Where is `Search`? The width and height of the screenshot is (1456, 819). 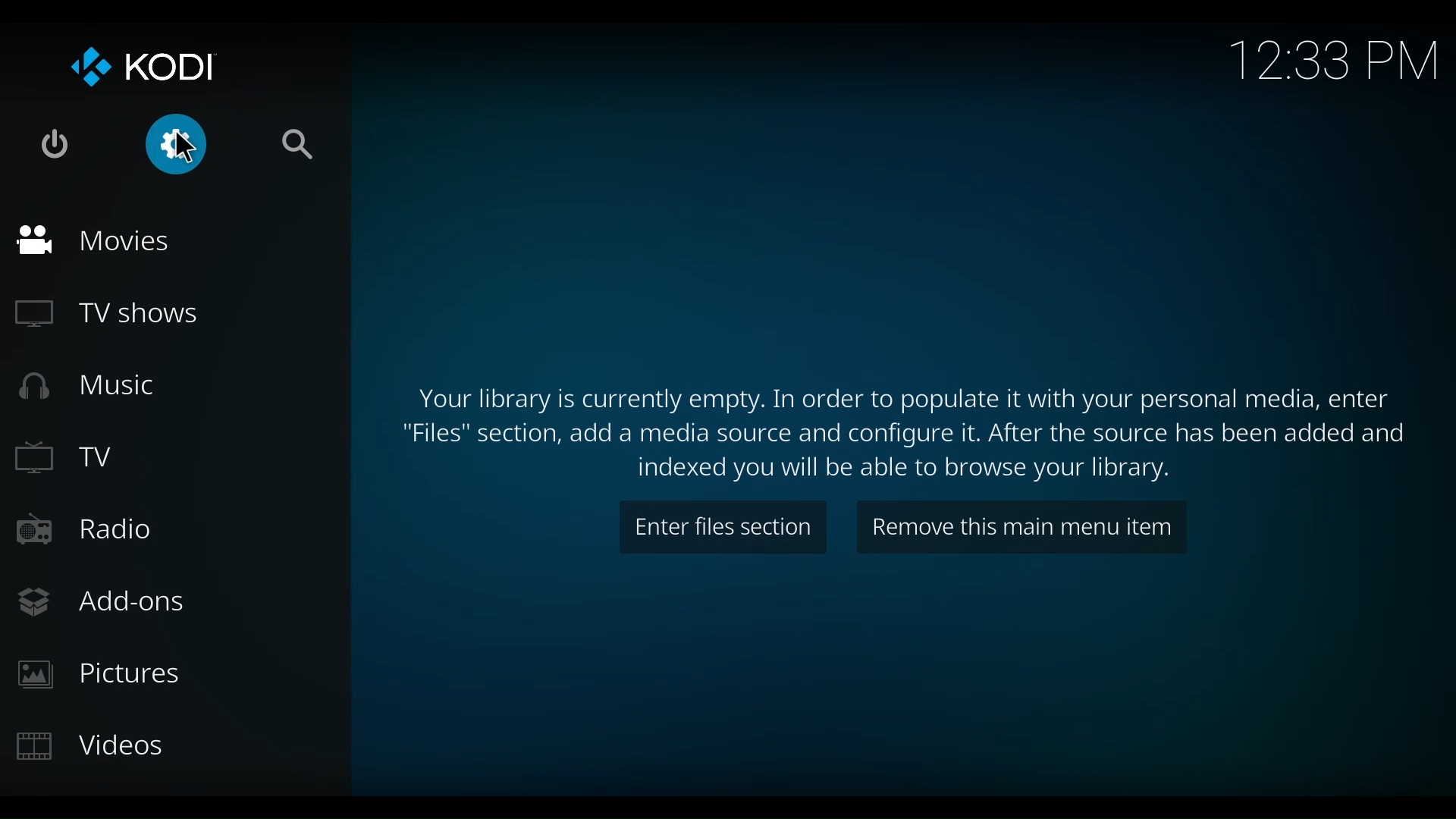 Search is located at coordinates (298, 147).